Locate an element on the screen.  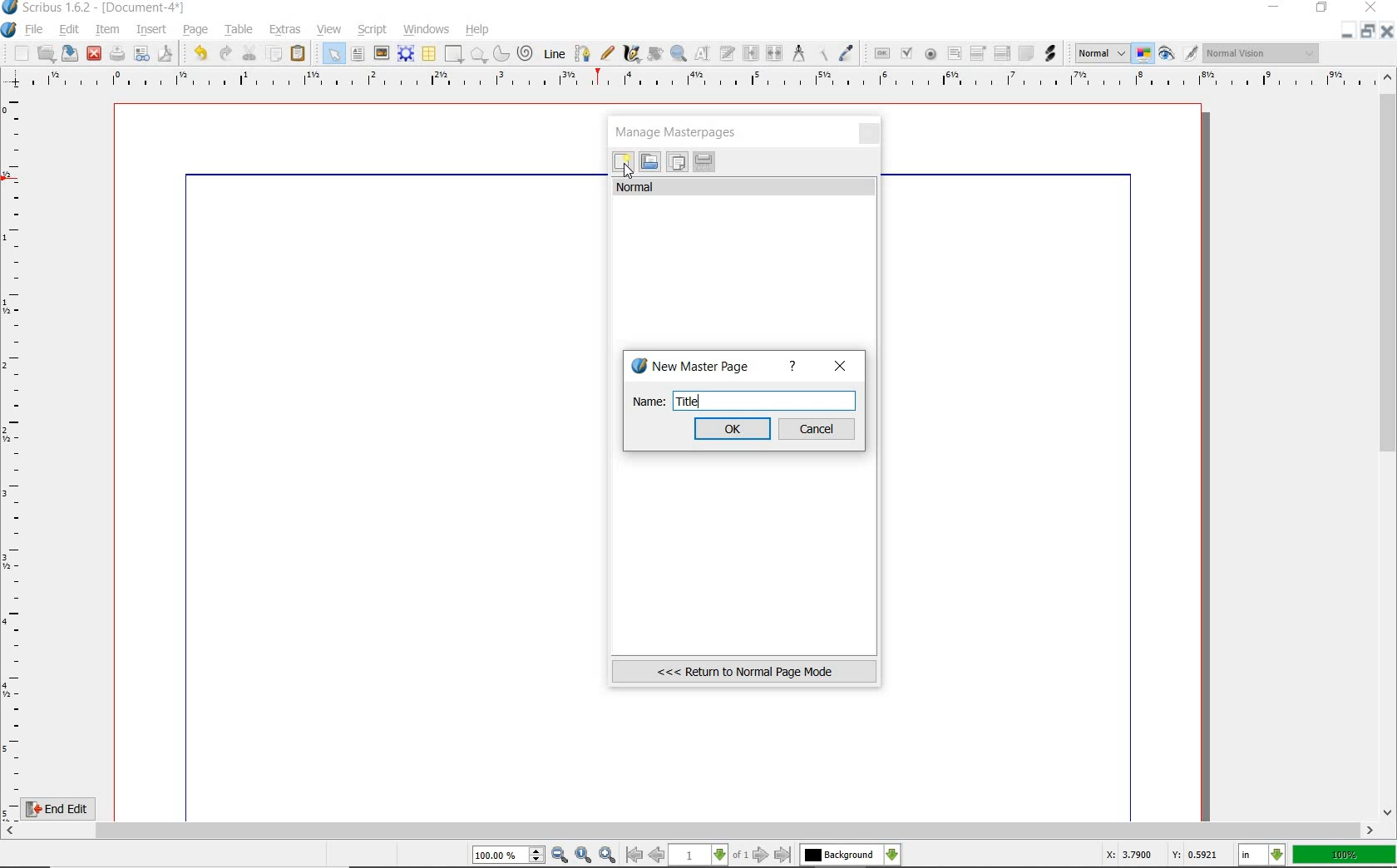
script is located at coordinates (373, 28).